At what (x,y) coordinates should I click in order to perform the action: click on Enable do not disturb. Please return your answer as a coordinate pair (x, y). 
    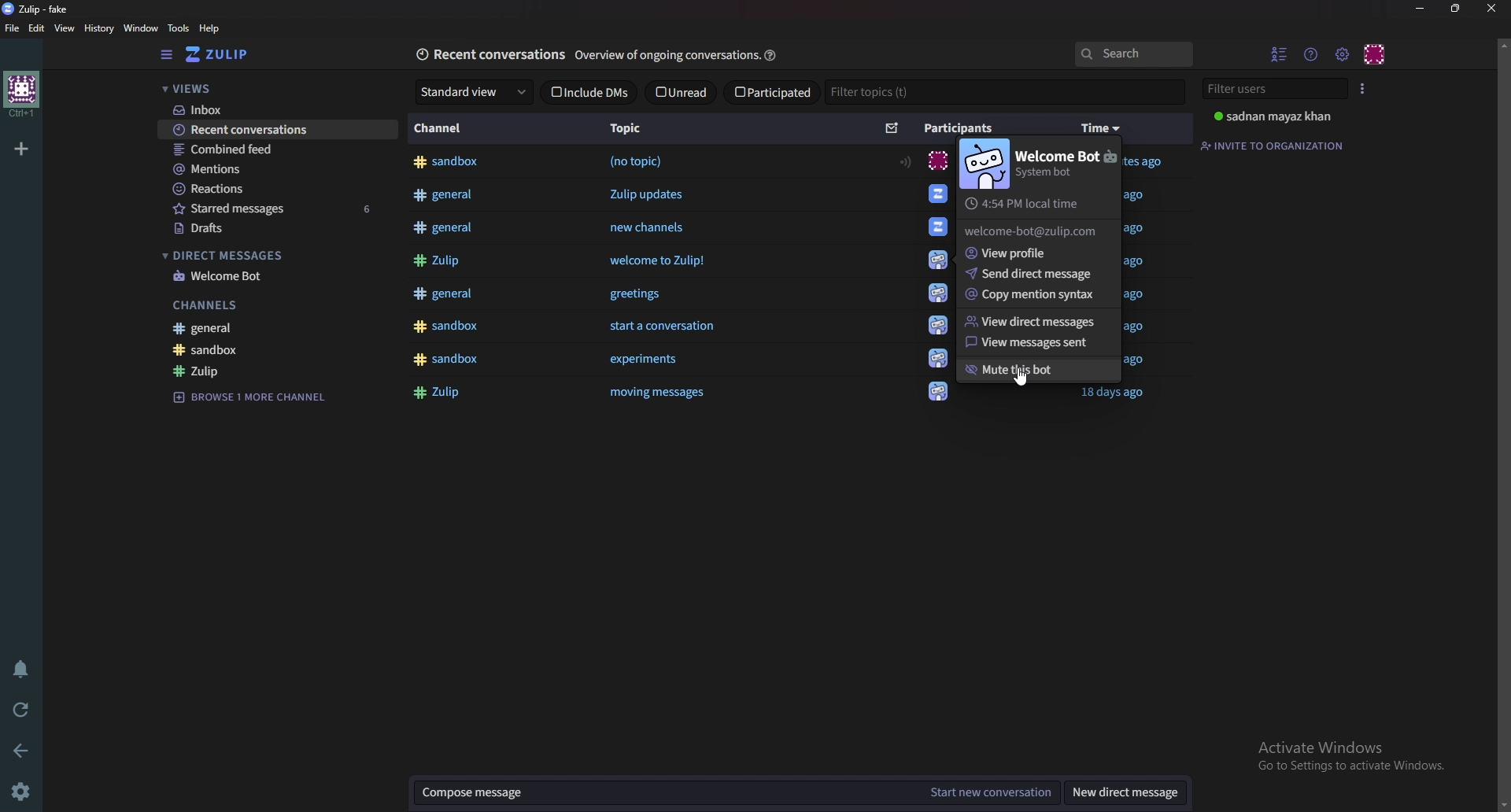
    Looking at the image, I should click on (20, 668).